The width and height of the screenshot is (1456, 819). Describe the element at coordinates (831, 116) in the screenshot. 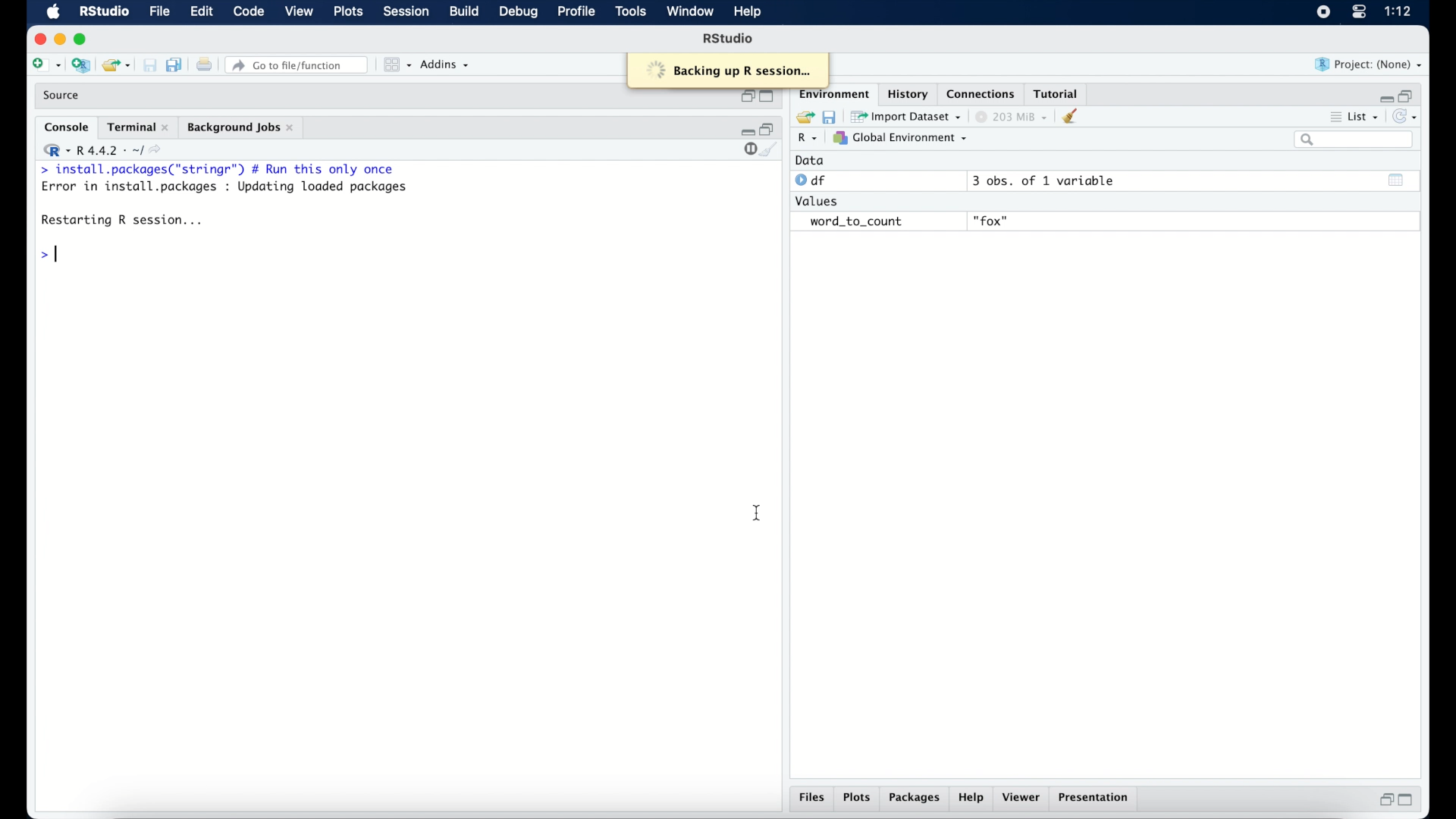

I see `save` at that location.